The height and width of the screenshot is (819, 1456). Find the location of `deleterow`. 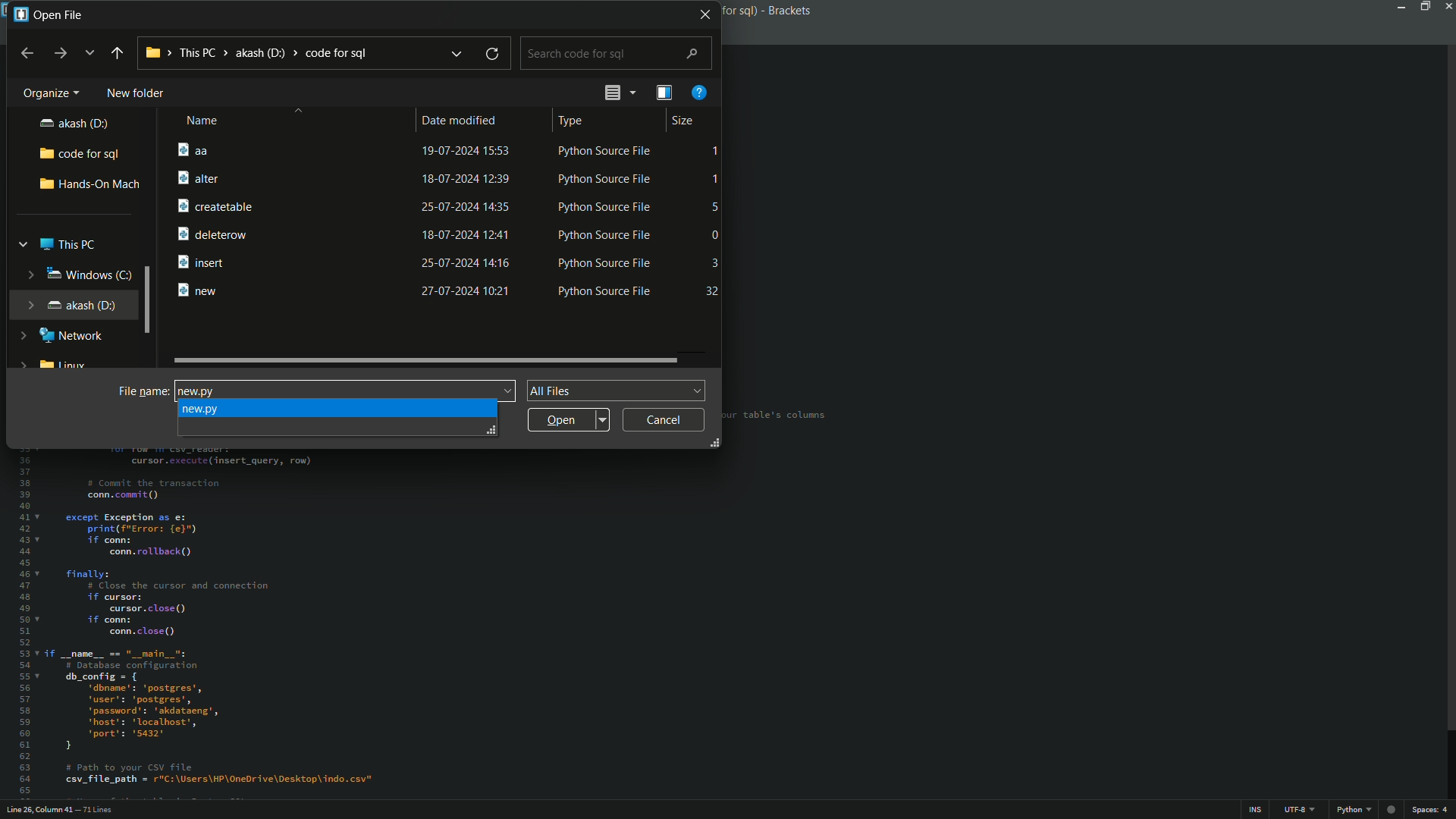

deleterow is located at coordinates (217, 234).